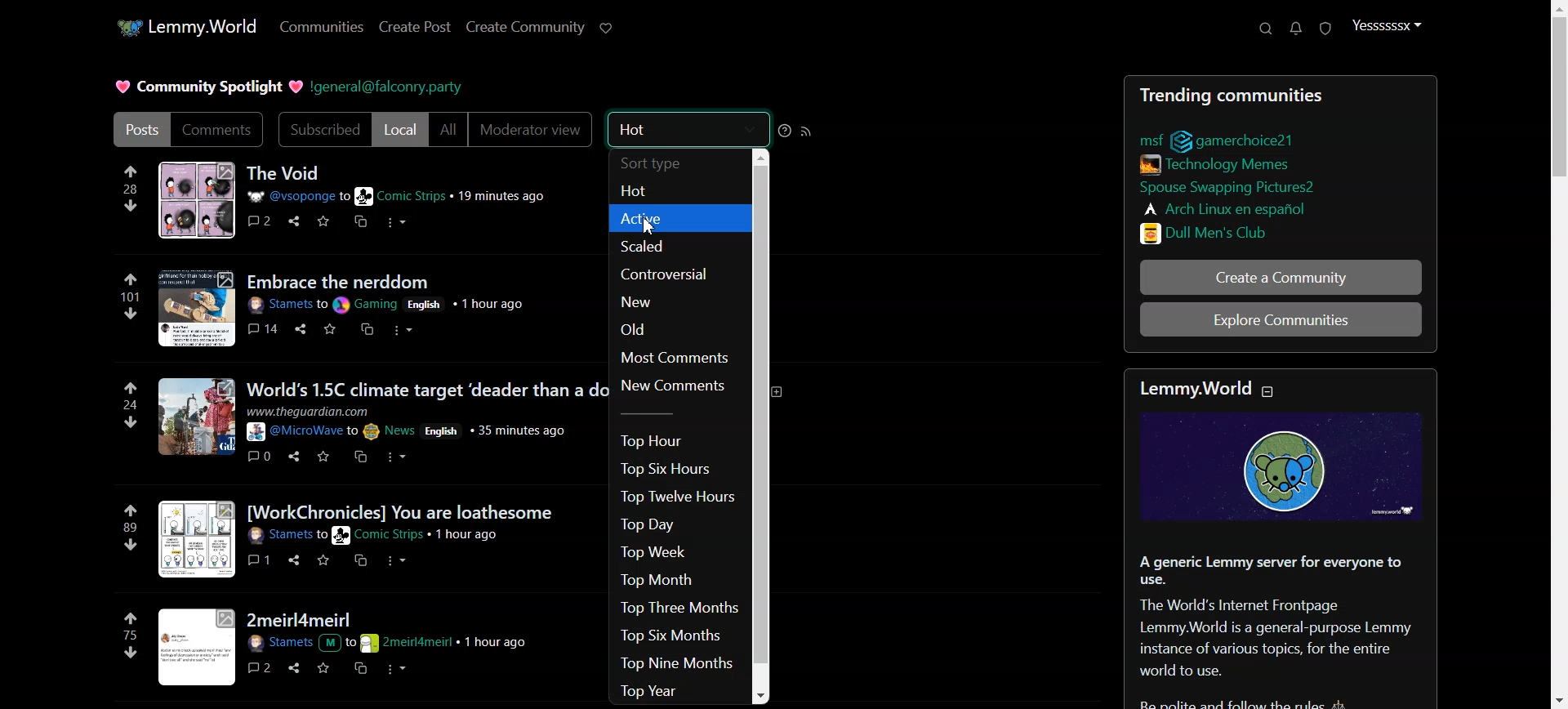 The image size is (1568, 709). What do you see at coordinates (679, 189) in the screenshot?
I see `Hot` at bounding box center [679, 189].